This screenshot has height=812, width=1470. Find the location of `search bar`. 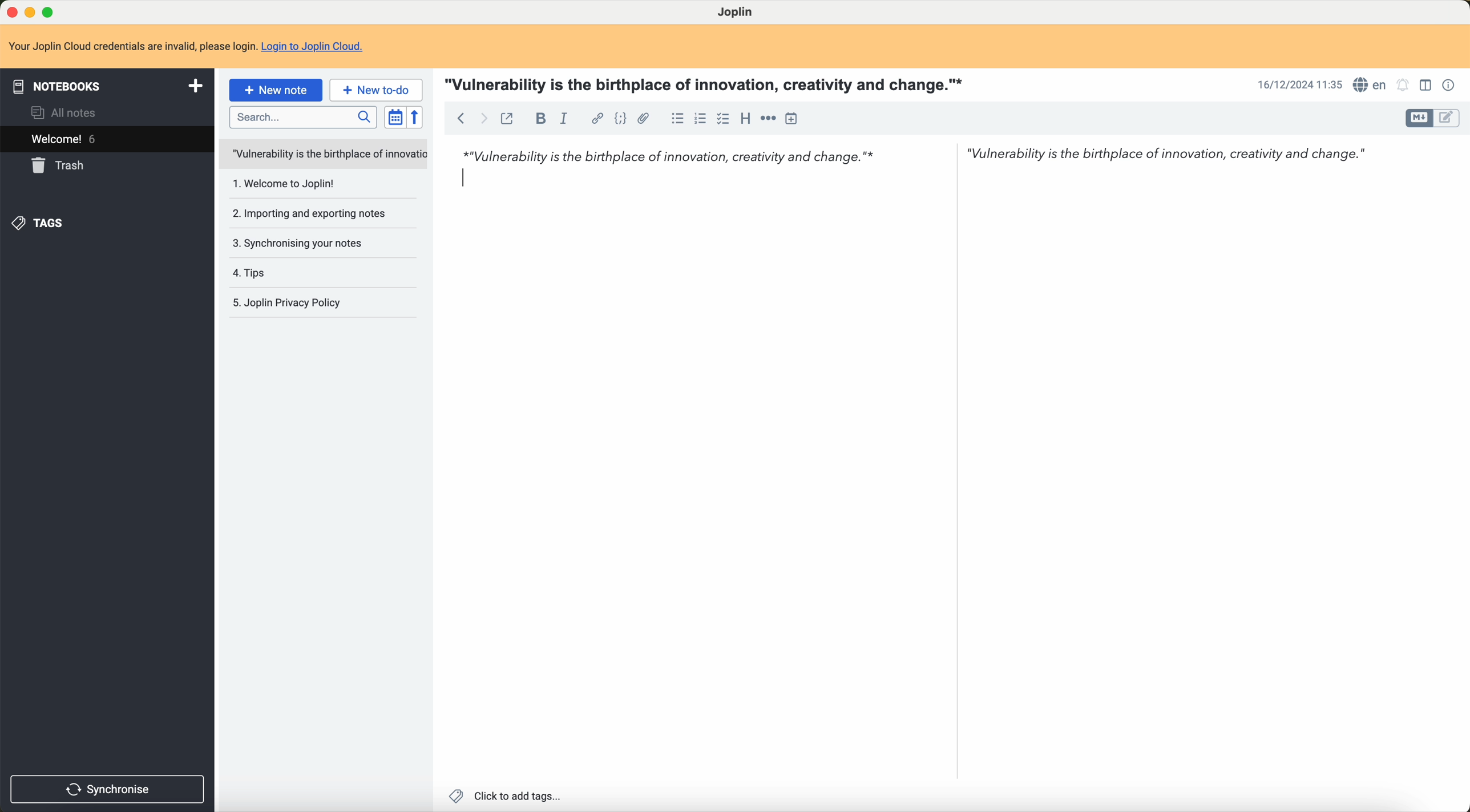

search bar is located at coordinates (300, 116).